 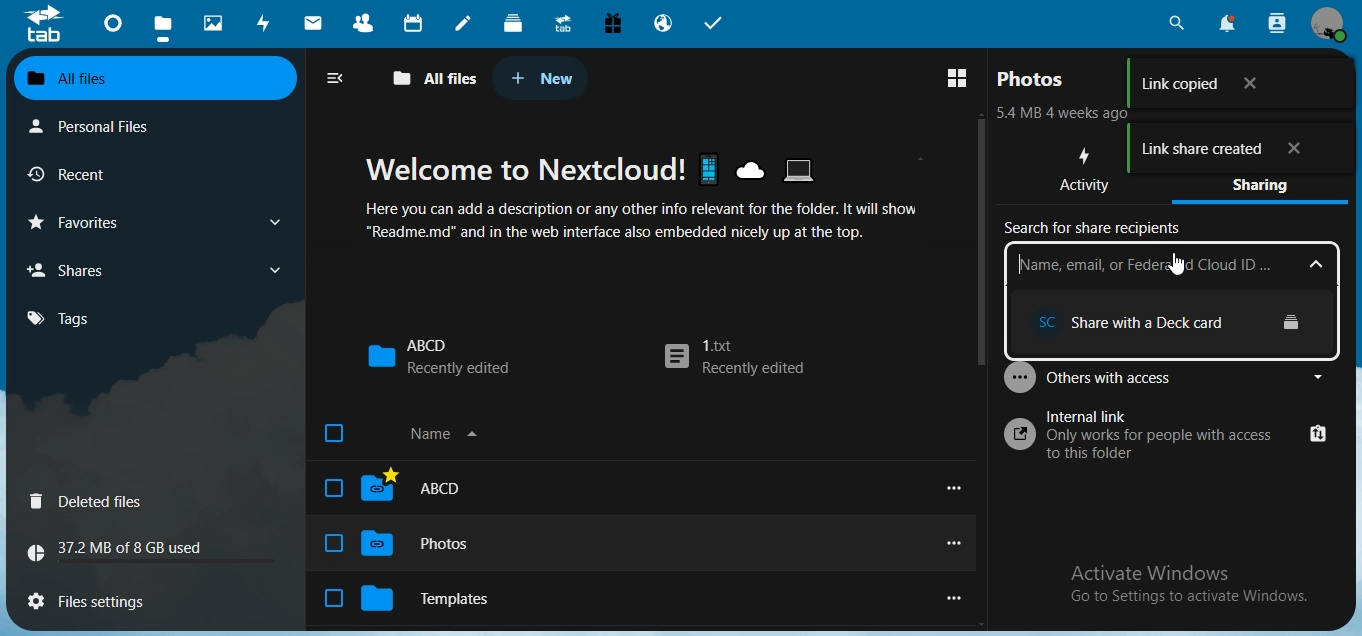 I want to click on personal files, so click(x=106, y=125).